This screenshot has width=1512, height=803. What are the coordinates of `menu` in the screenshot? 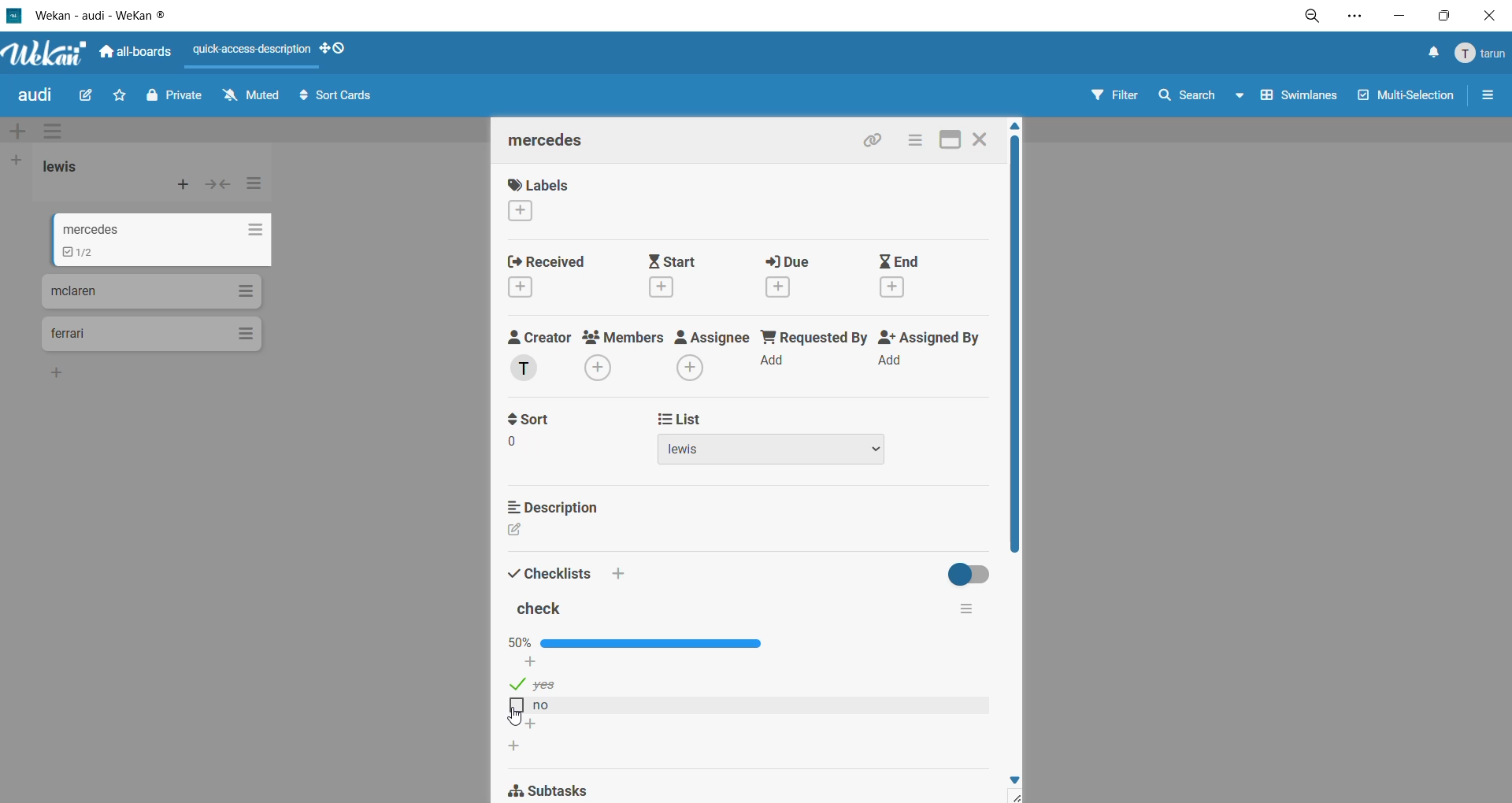 It's located at (1478, 54).